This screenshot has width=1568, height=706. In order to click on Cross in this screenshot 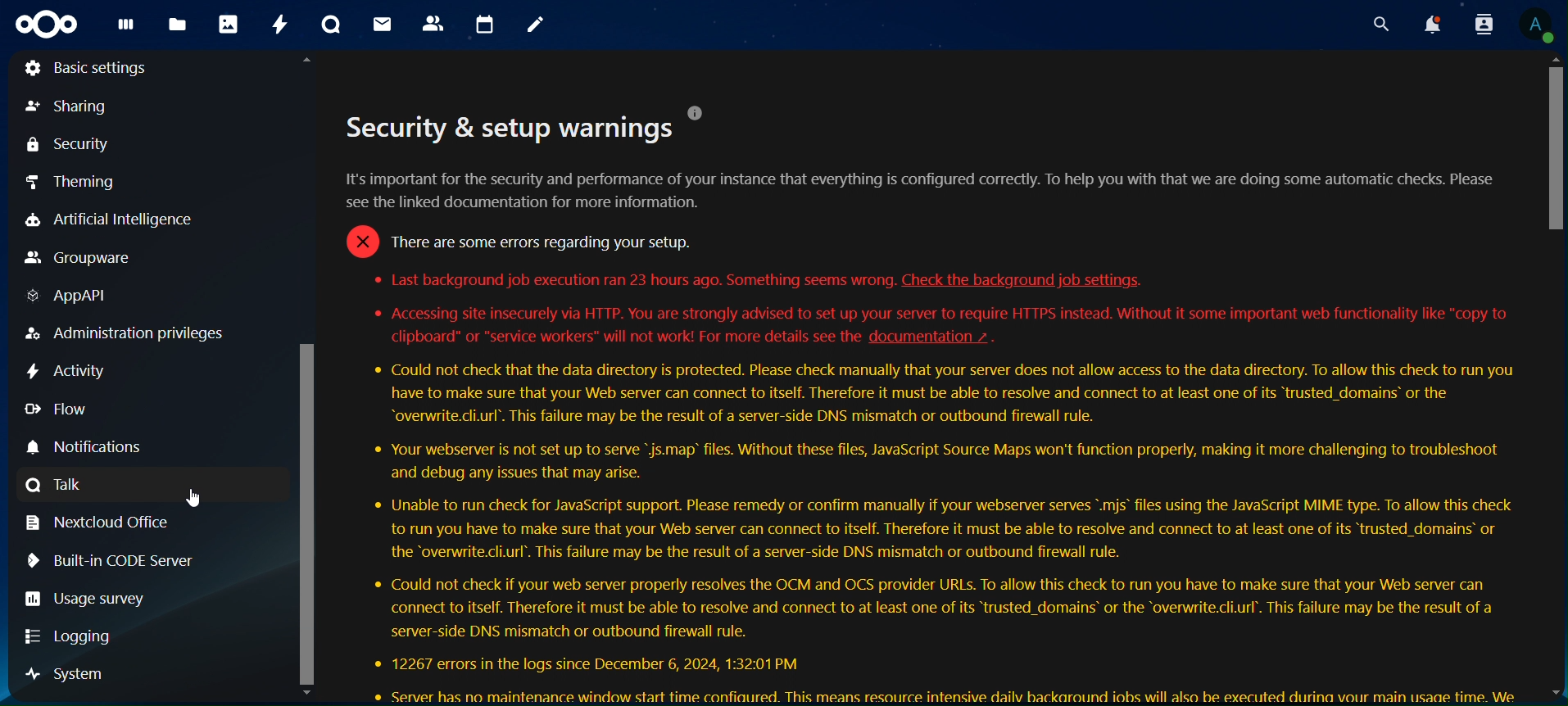, I will do `click(360, 241)`.